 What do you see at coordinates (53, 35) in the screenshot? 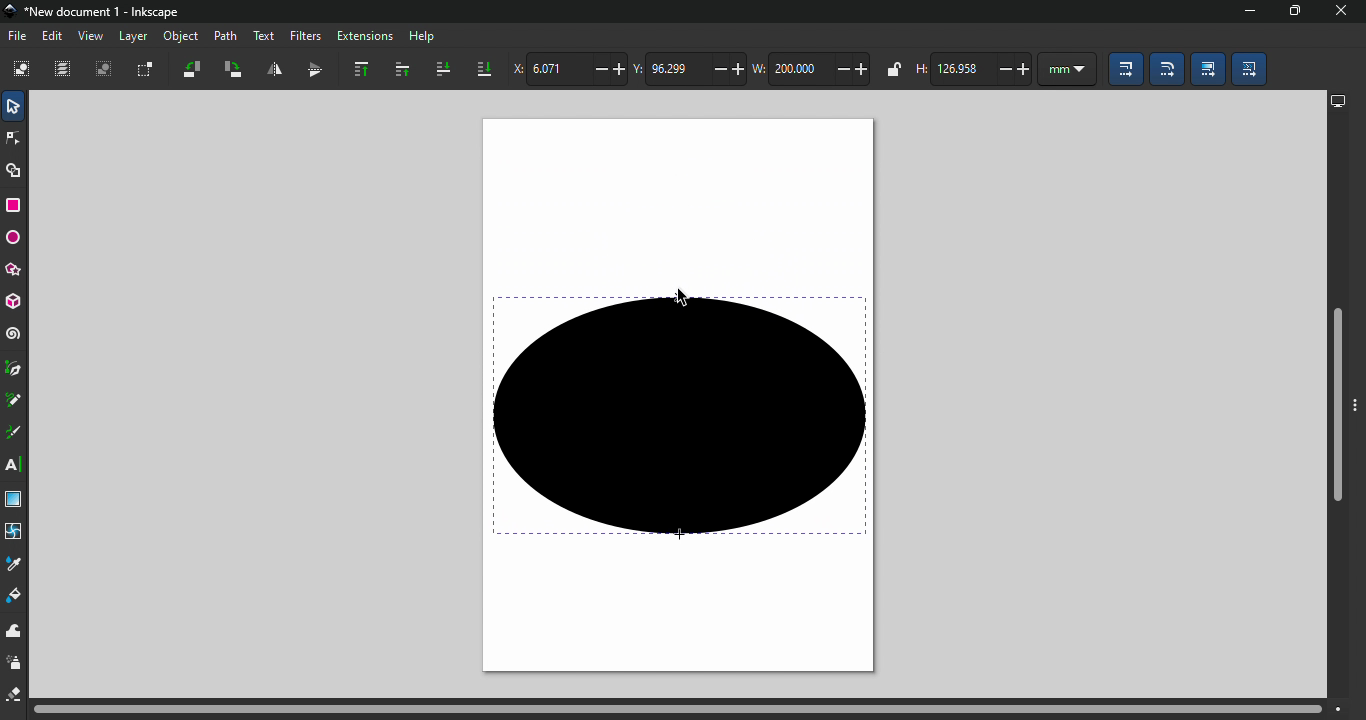
I see `Edit` at bounding box center [53, 35].